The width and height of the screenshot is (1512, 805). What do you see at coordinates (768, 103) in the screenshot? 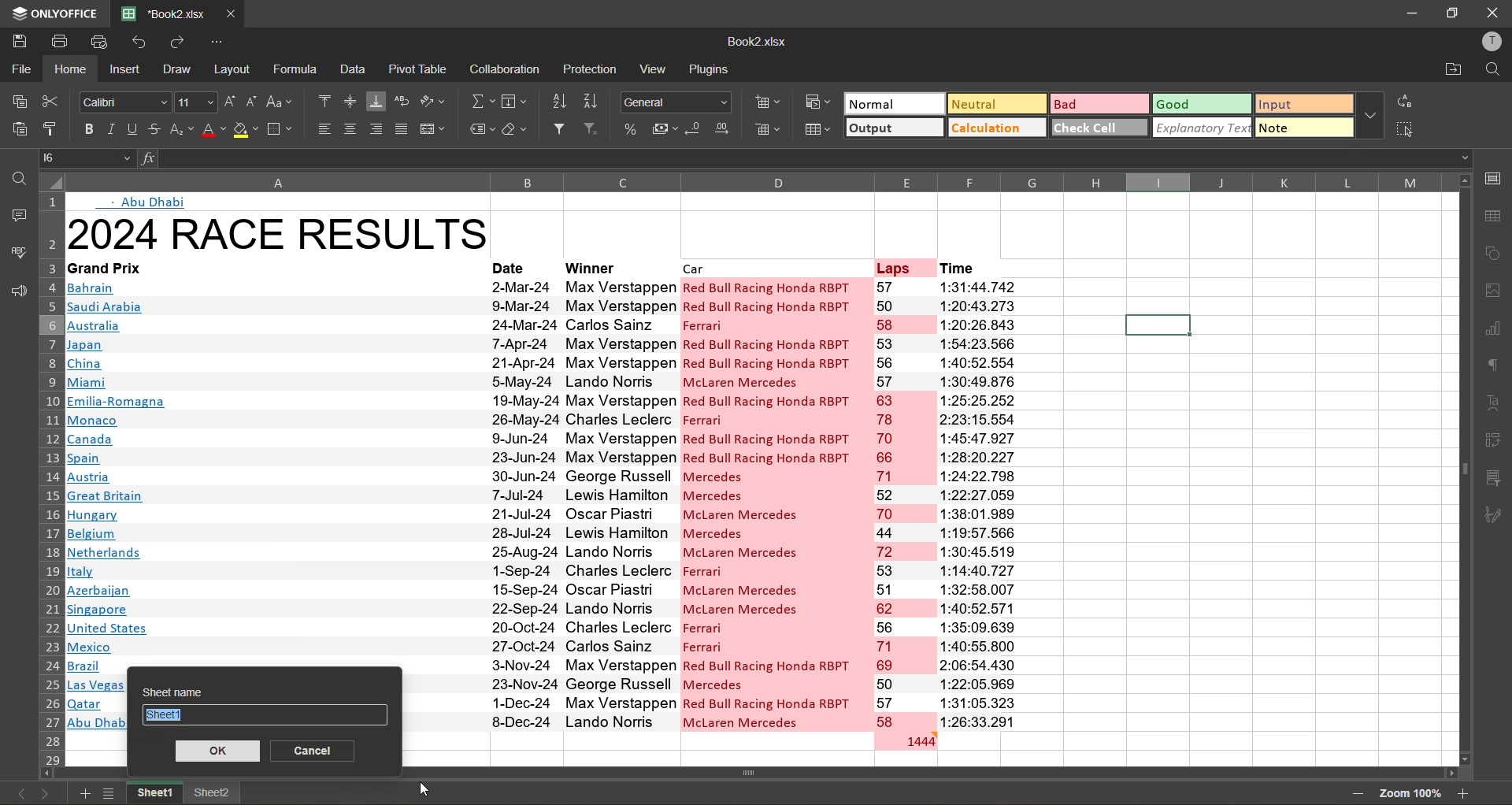
I see `insert cells` at bounding box center [768, 103].